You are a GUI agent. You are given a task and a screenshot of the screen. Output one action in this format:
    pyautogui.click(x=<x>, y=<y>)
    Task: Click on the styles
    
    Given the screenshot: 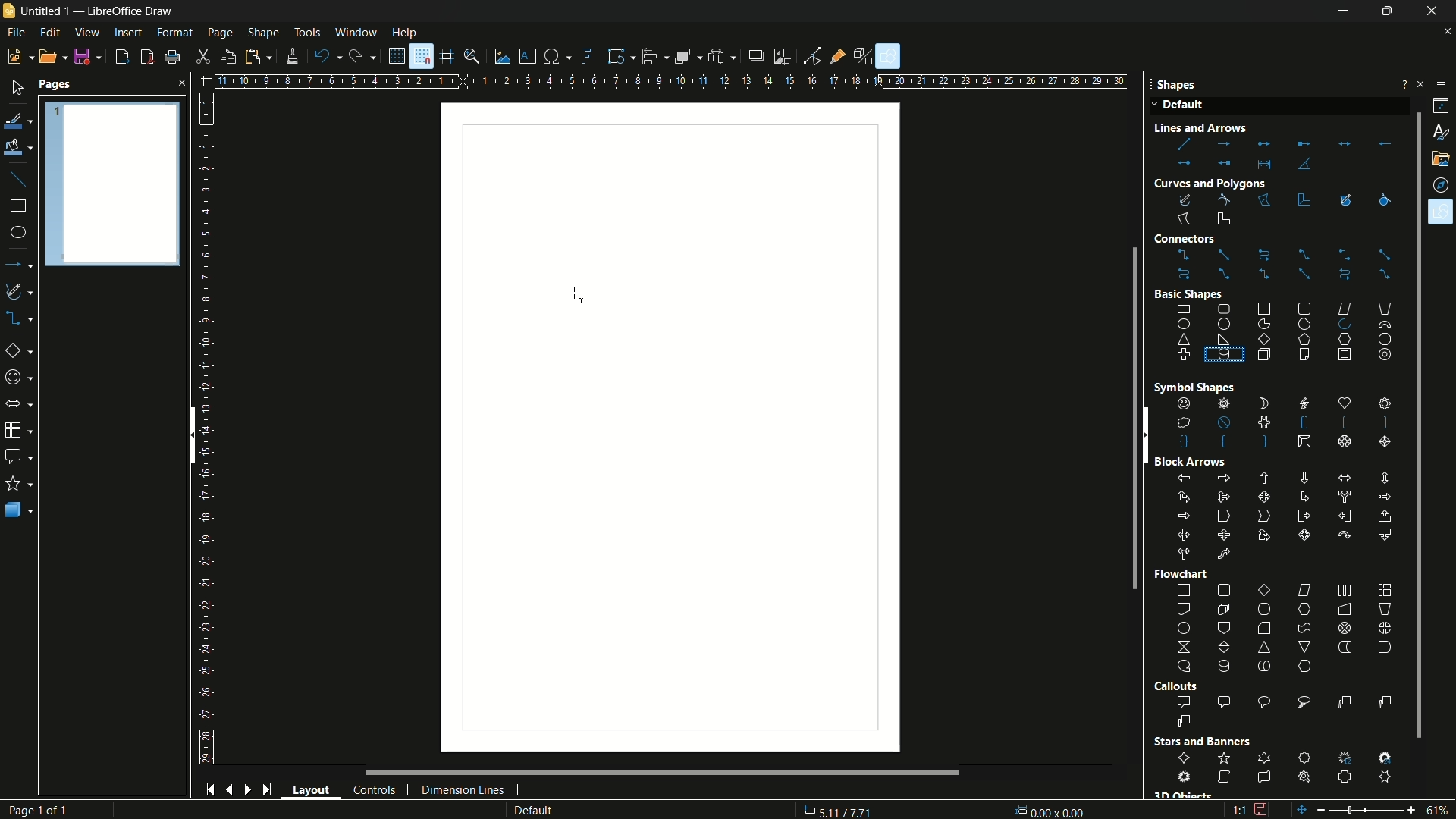 What is the action you would take?
    pyautogui.click(x=1439, y=131)
    